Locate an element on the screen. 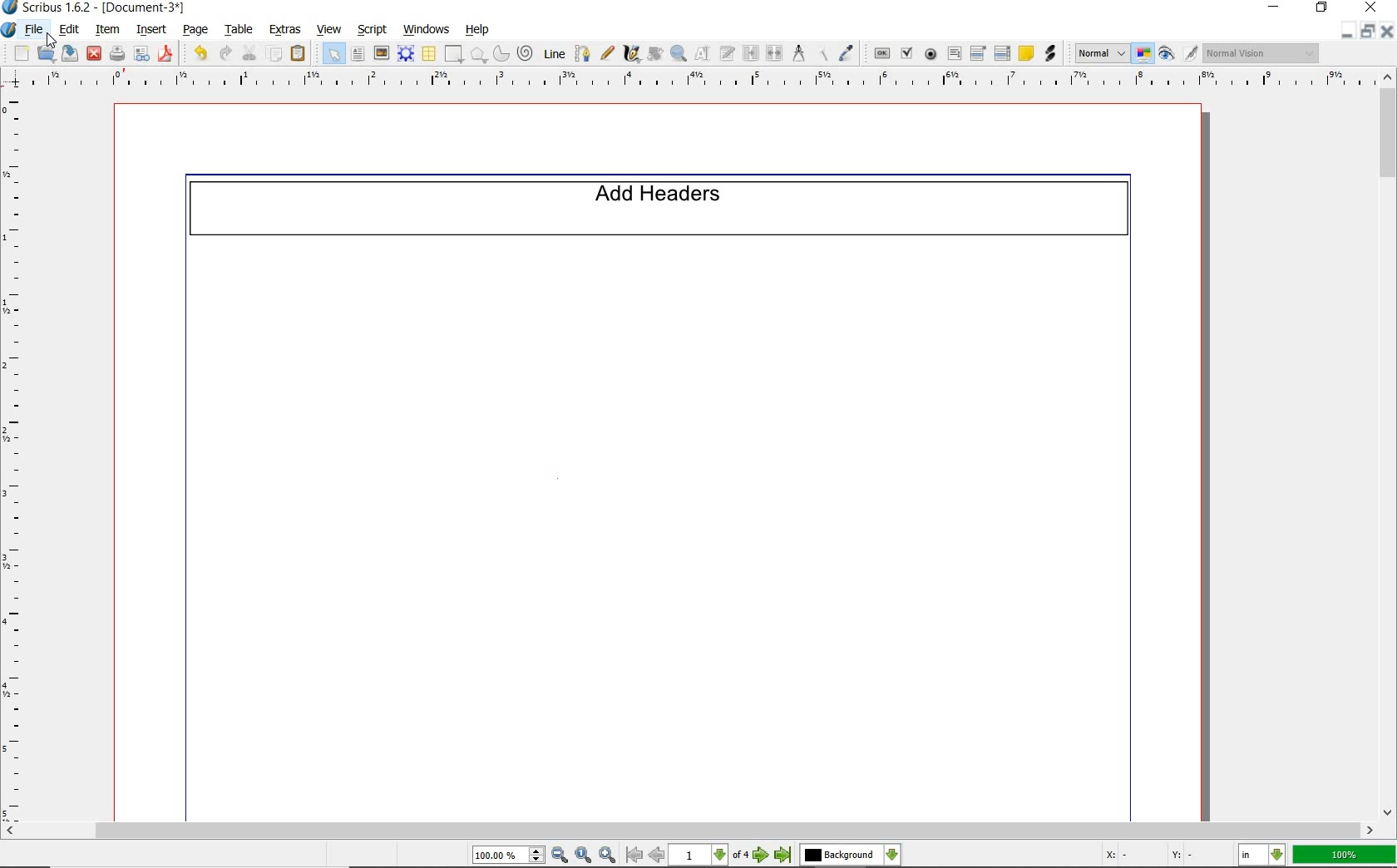 Image resolution: width=1397 pixels, height=868 pixels. rotate item is located at coordinates (654, 55).